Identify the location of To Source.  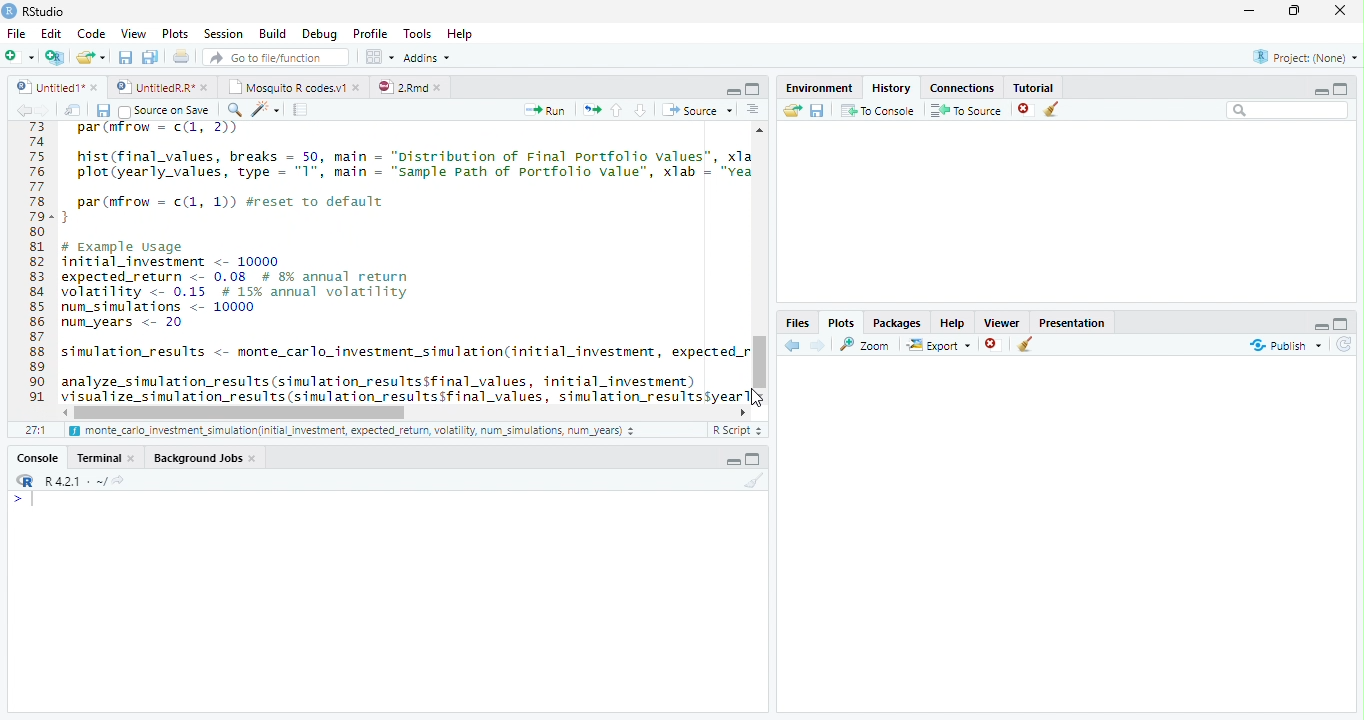
(966, 110).